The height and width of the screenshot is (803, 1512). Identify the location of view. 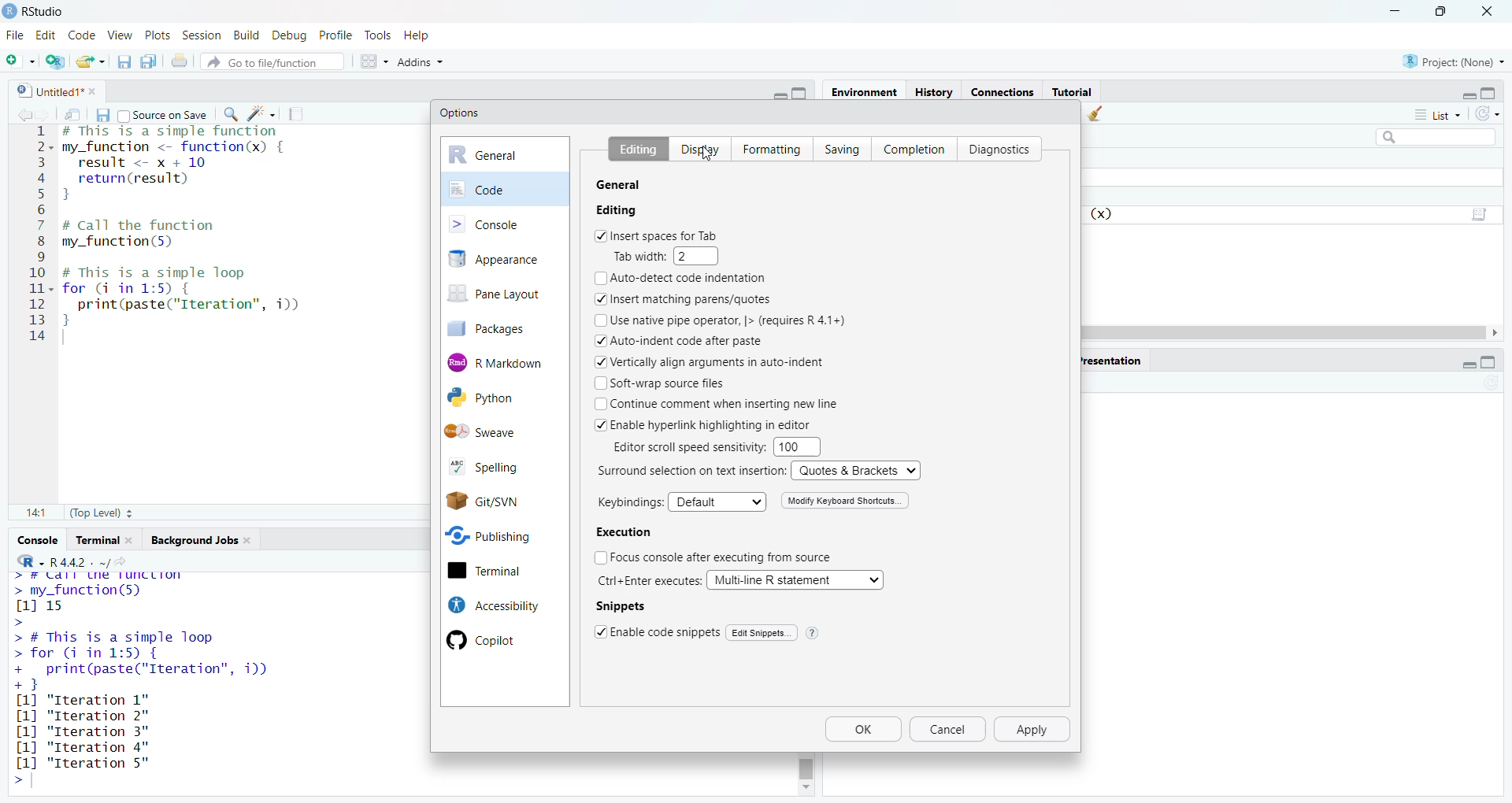
(120, 35).